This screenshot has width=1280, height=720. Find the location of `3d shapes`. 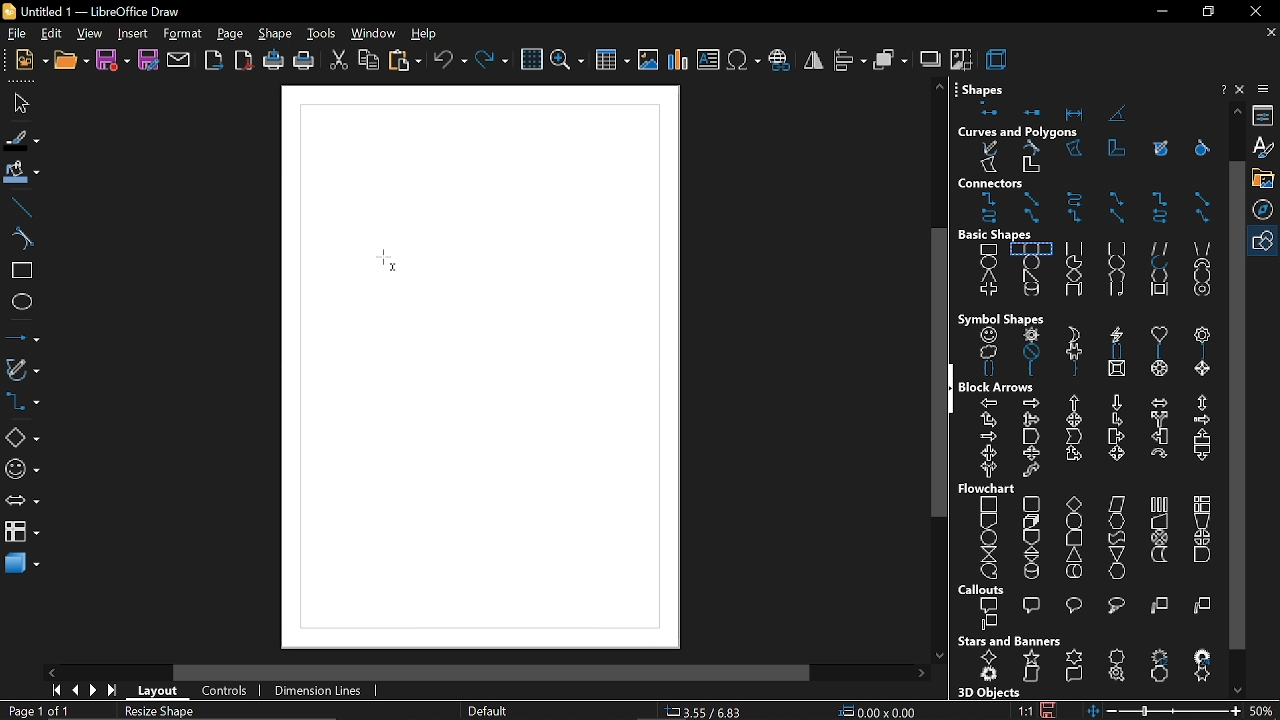

3d shapes is located at coordinates (20, 565).